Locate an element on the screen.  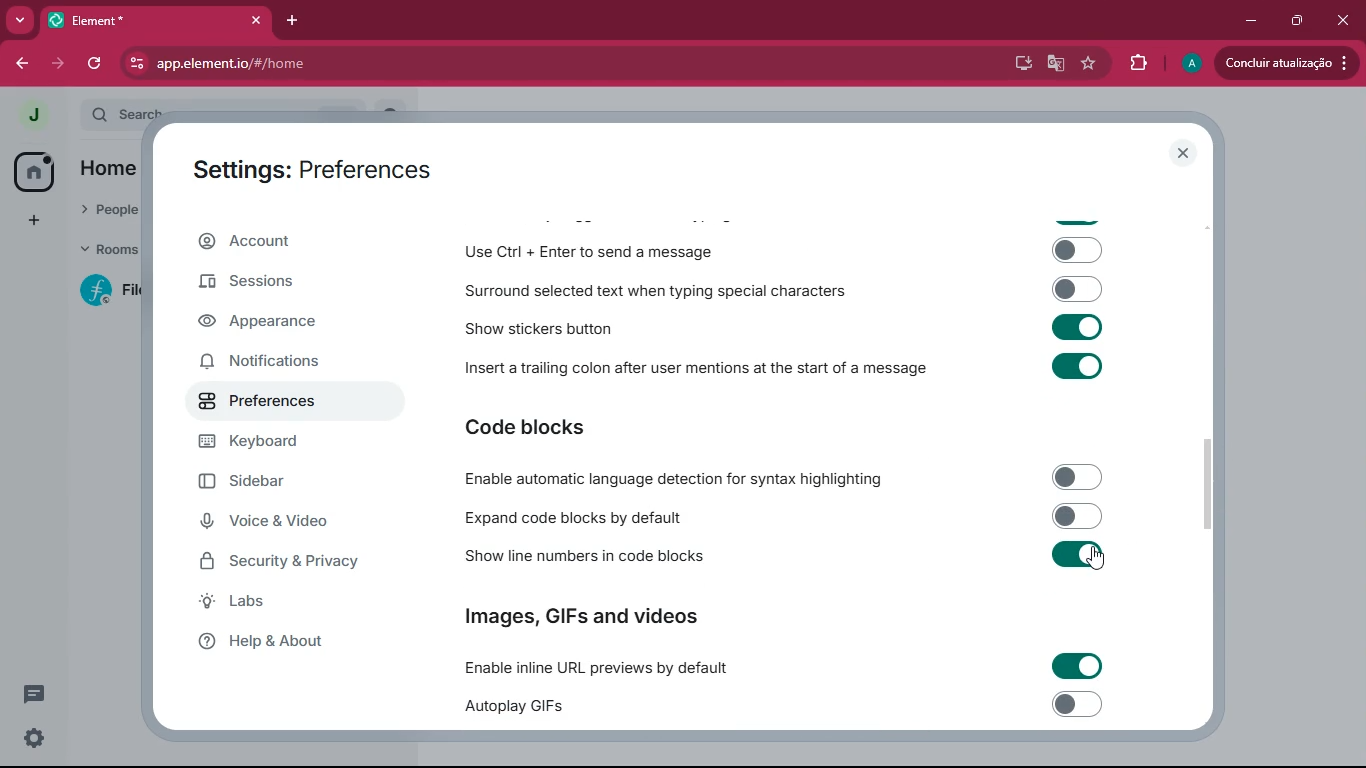
favourite is located at coordinates (1089, 64).